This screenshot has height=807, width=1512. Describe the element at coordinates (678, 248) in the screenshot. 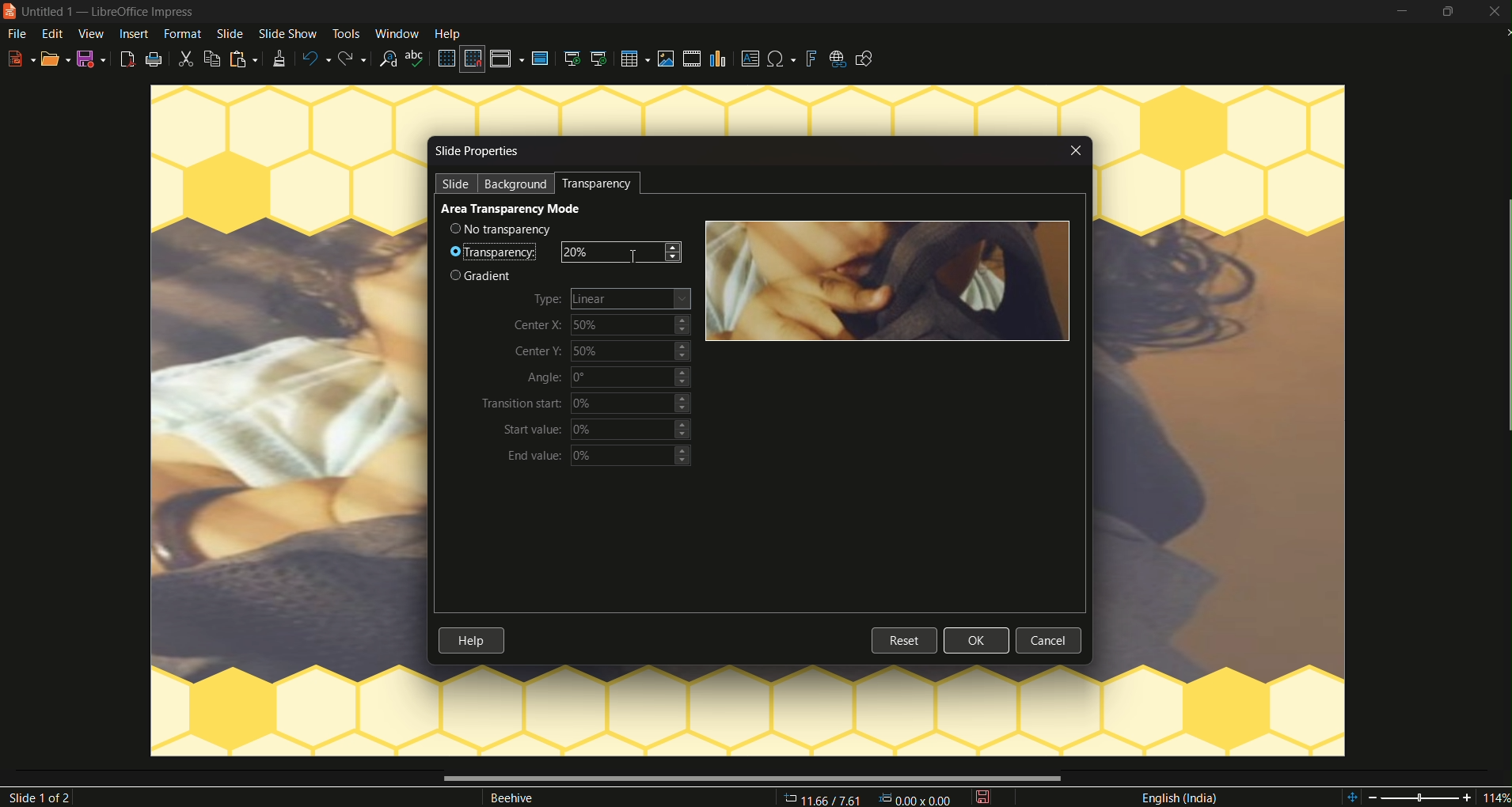

I see `increase transparency ` at that location.